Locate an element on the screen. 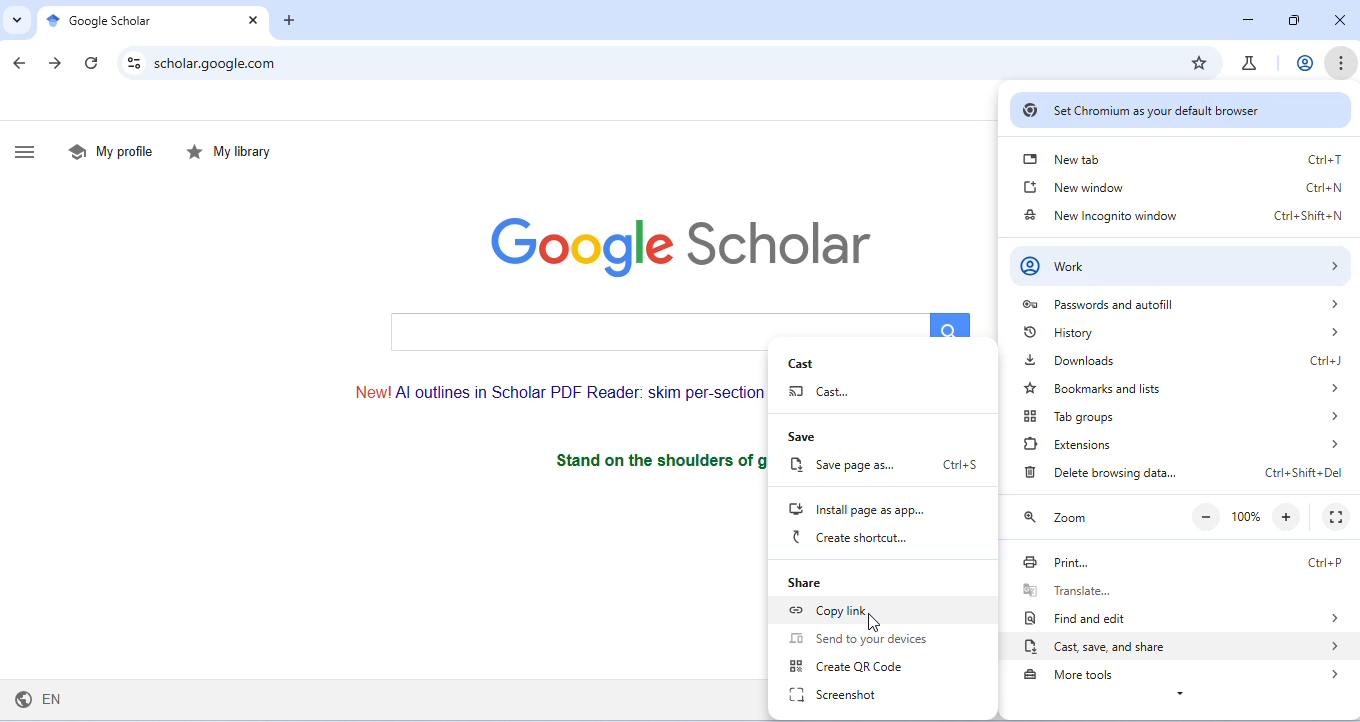  go back is located at coordinates (20, 63).